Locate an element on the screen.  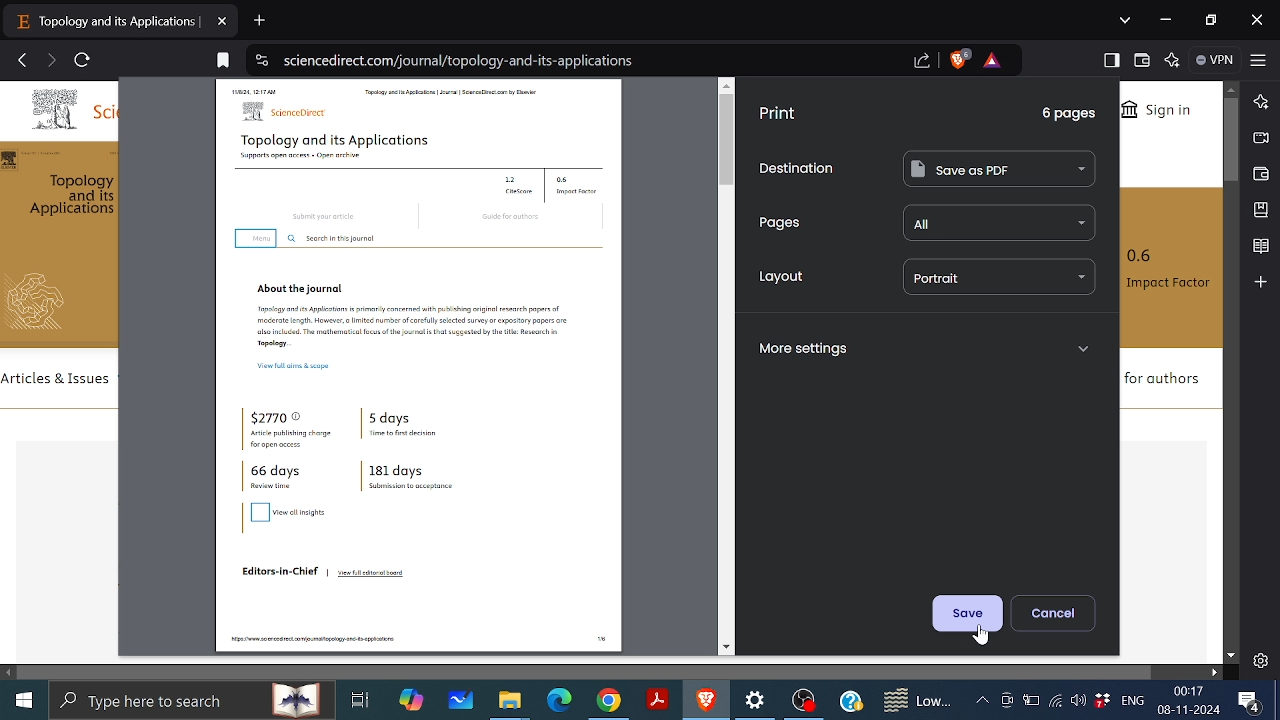
Print is located at coordinates (779, 114).